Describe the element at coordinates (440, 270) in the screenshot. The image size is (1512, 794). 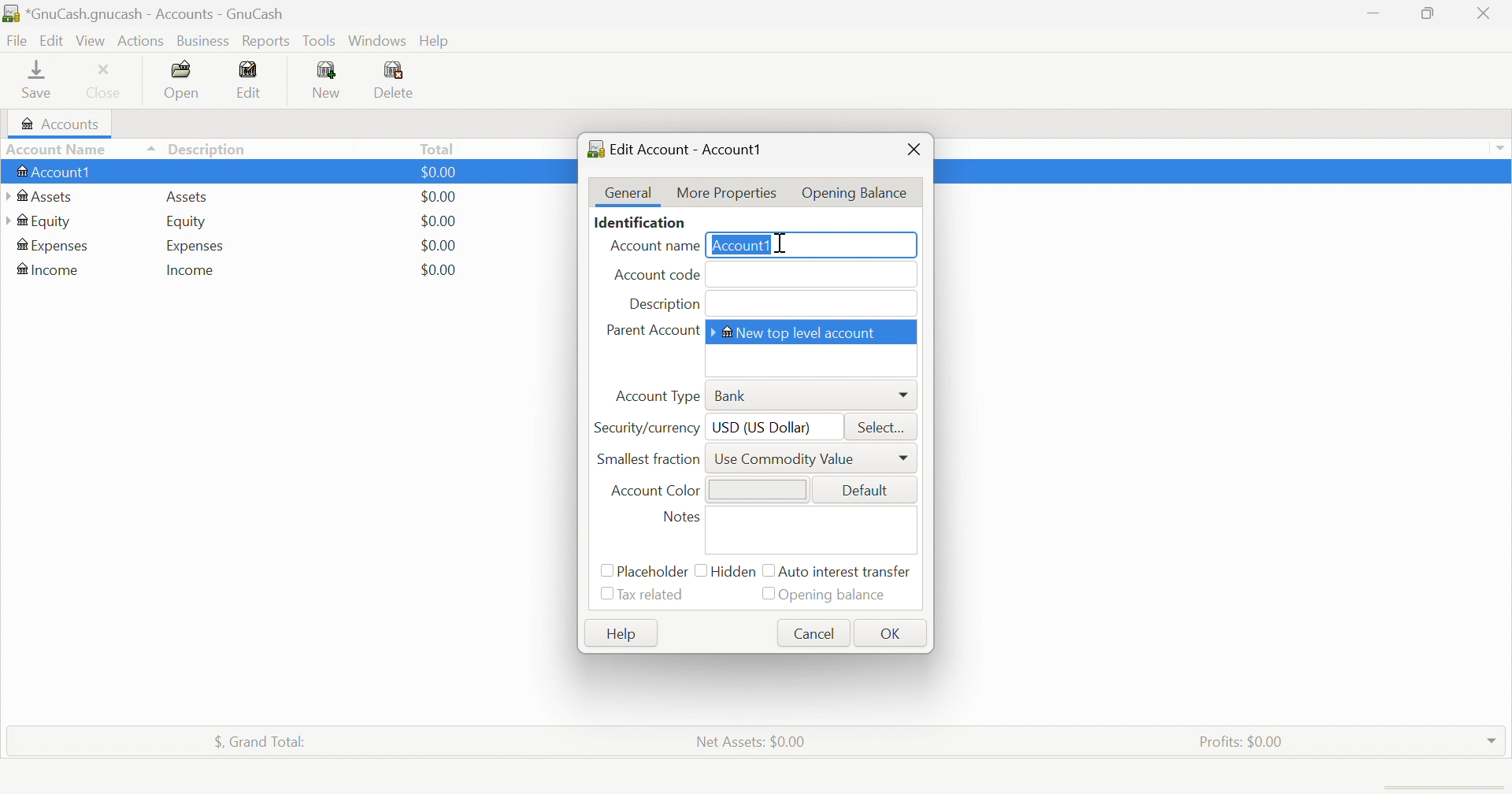
I see `$0.00` at that location.